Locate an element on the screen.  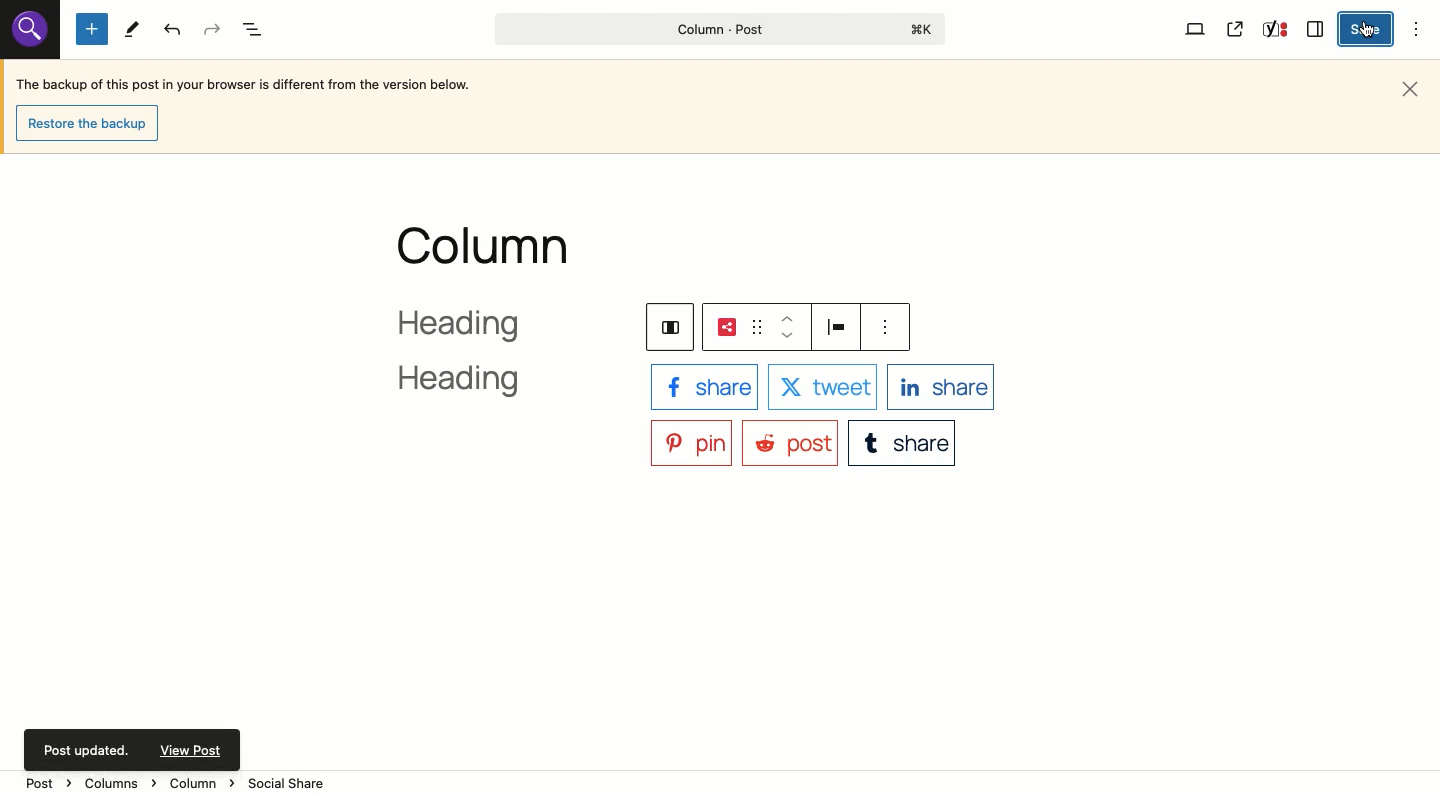
drag is located at coordinates (755, 327).